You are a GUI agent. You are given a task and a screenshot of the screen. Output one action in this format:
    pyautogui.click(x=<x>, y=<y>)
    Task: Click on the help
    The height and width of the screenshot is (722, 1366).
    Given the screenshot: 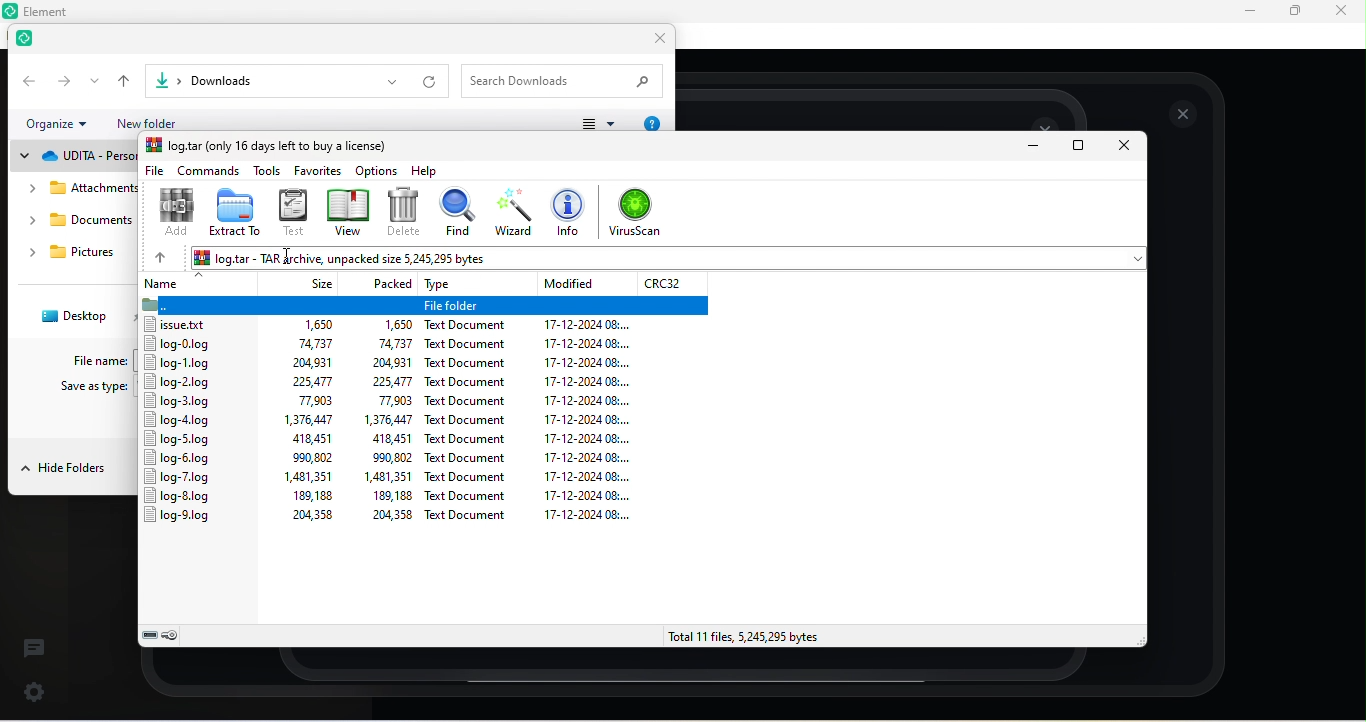 What is the action you would take?
    pyautogui.click(x=651, y=125)
    